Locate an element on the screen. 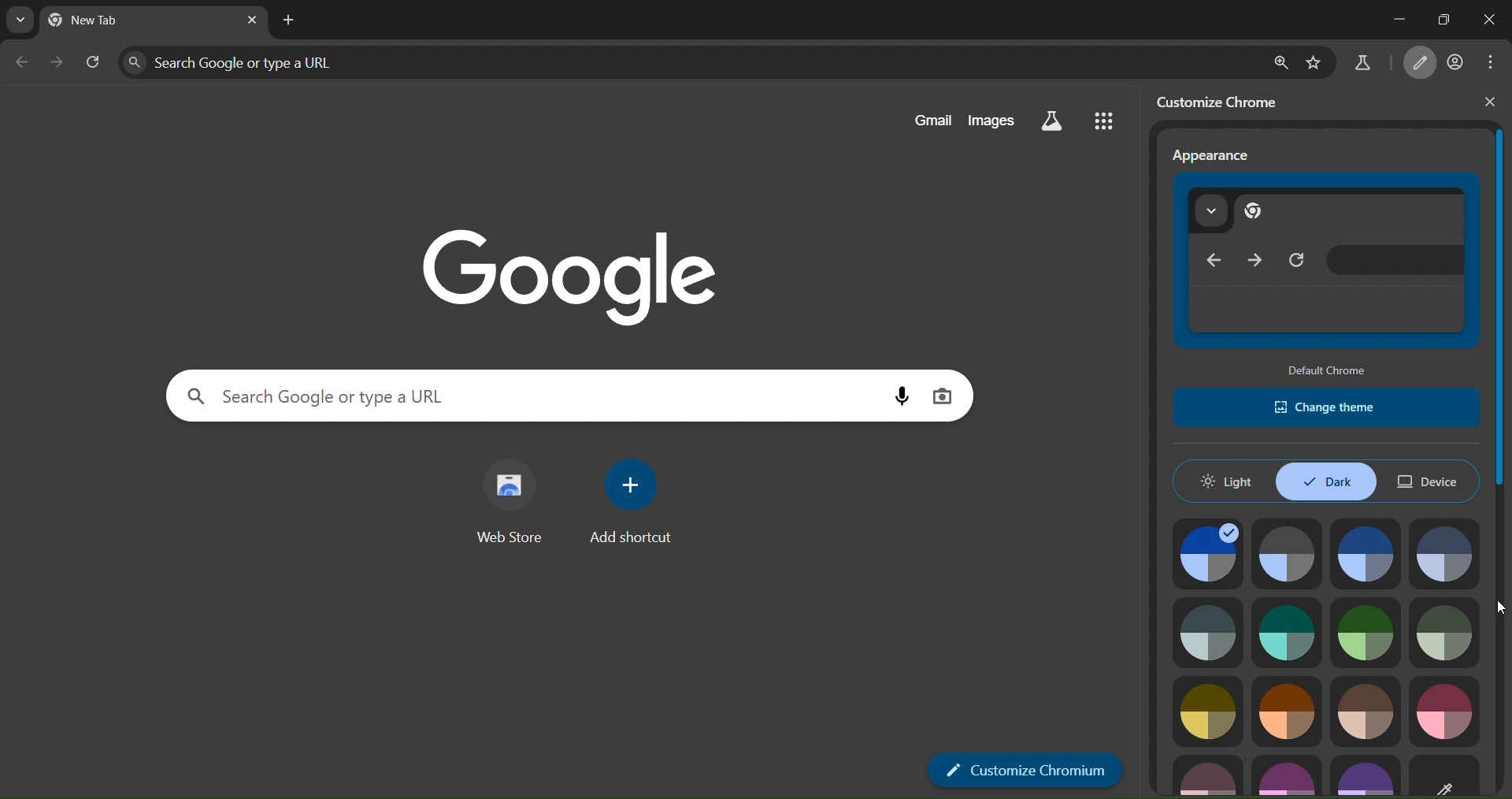  new tab is located at coordinates (289, 20).